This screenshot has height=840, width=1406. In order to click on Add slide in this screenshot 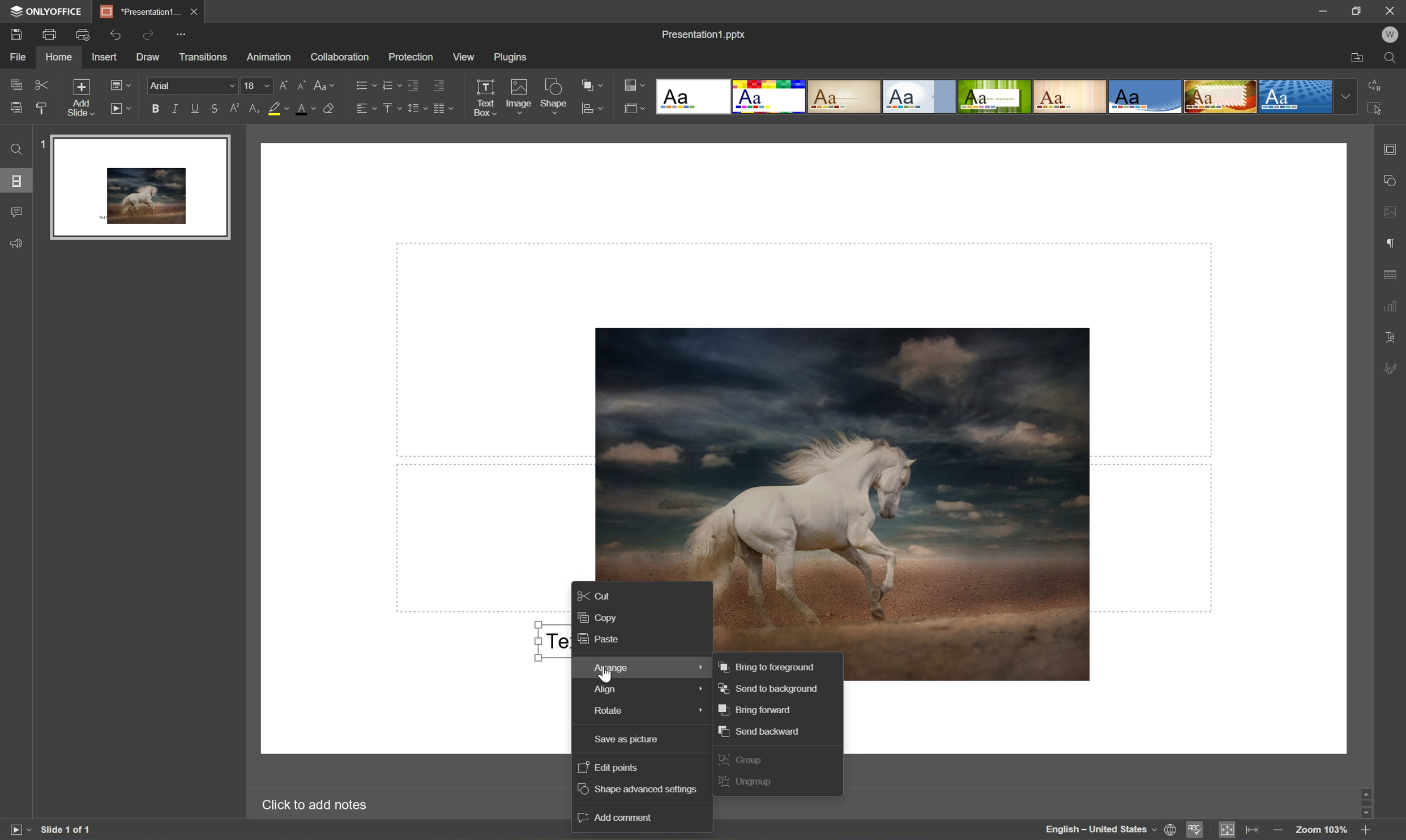, I will do `click(84, 100)`.